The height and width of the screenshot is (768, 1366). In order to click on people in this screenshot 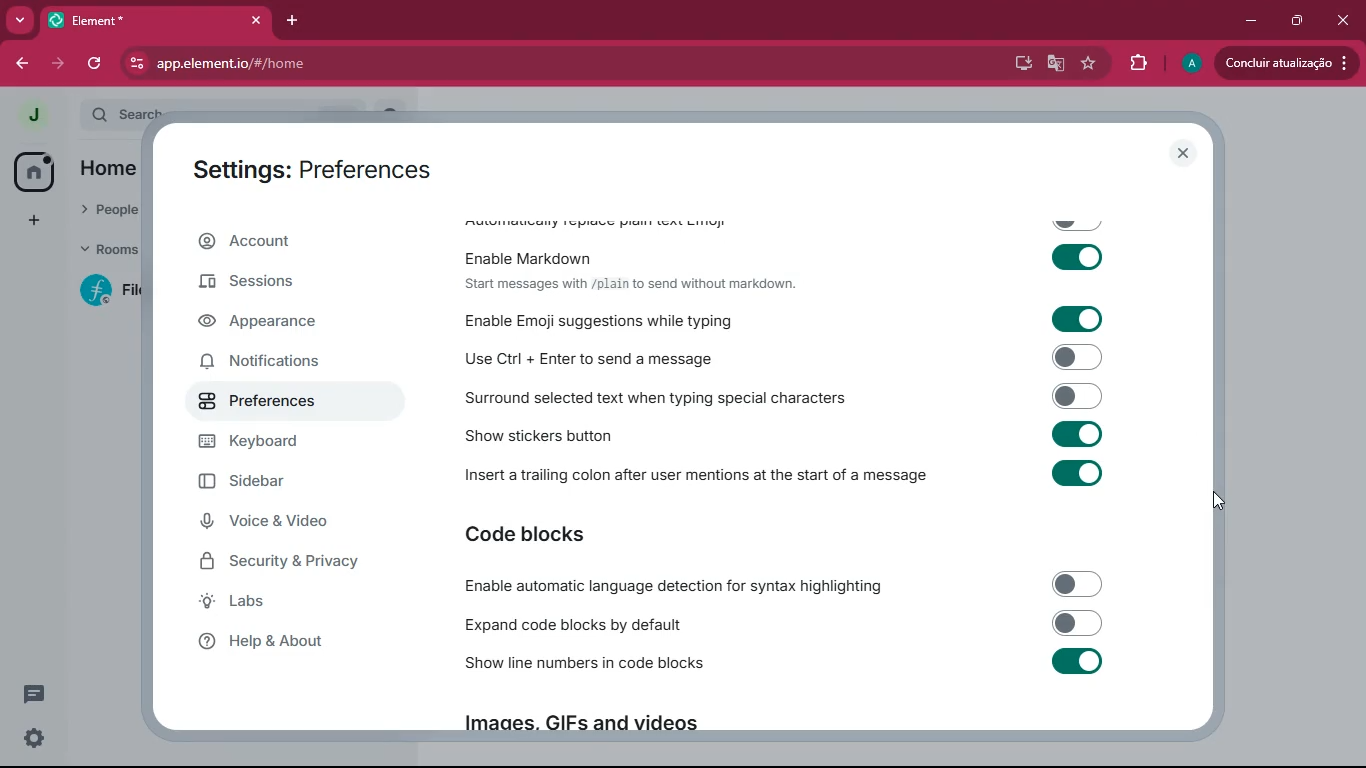, I will do `click(110, 207)`.